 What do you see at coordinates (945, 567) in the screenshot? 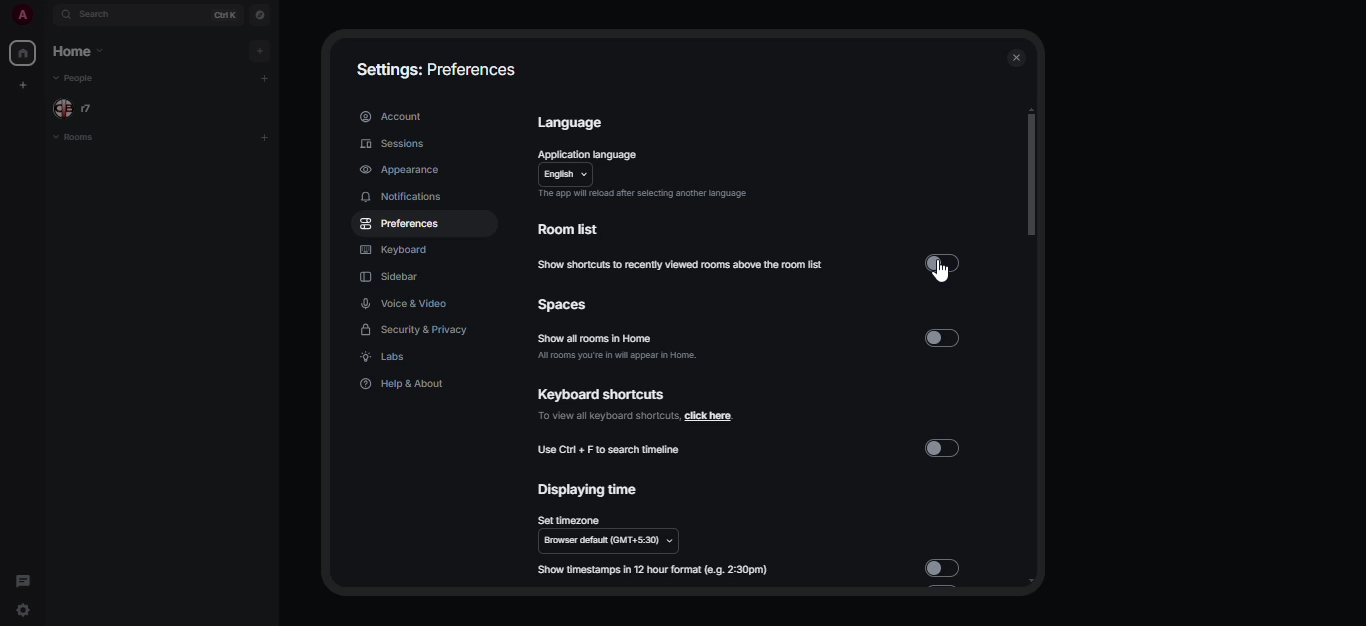
I see `disabled` at bounding box center [945, 567].